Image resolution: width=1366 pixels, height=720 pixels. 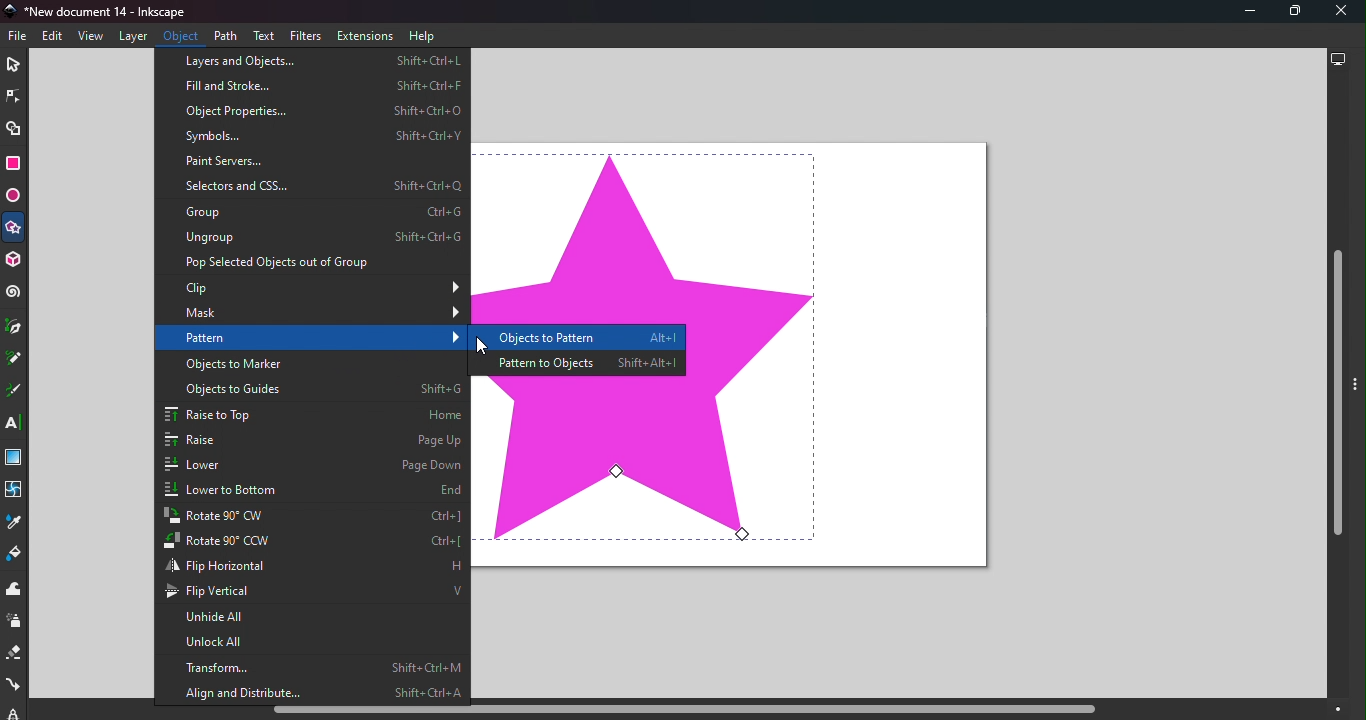 I want to click on Layers and objects, so click(x=317, y=61).